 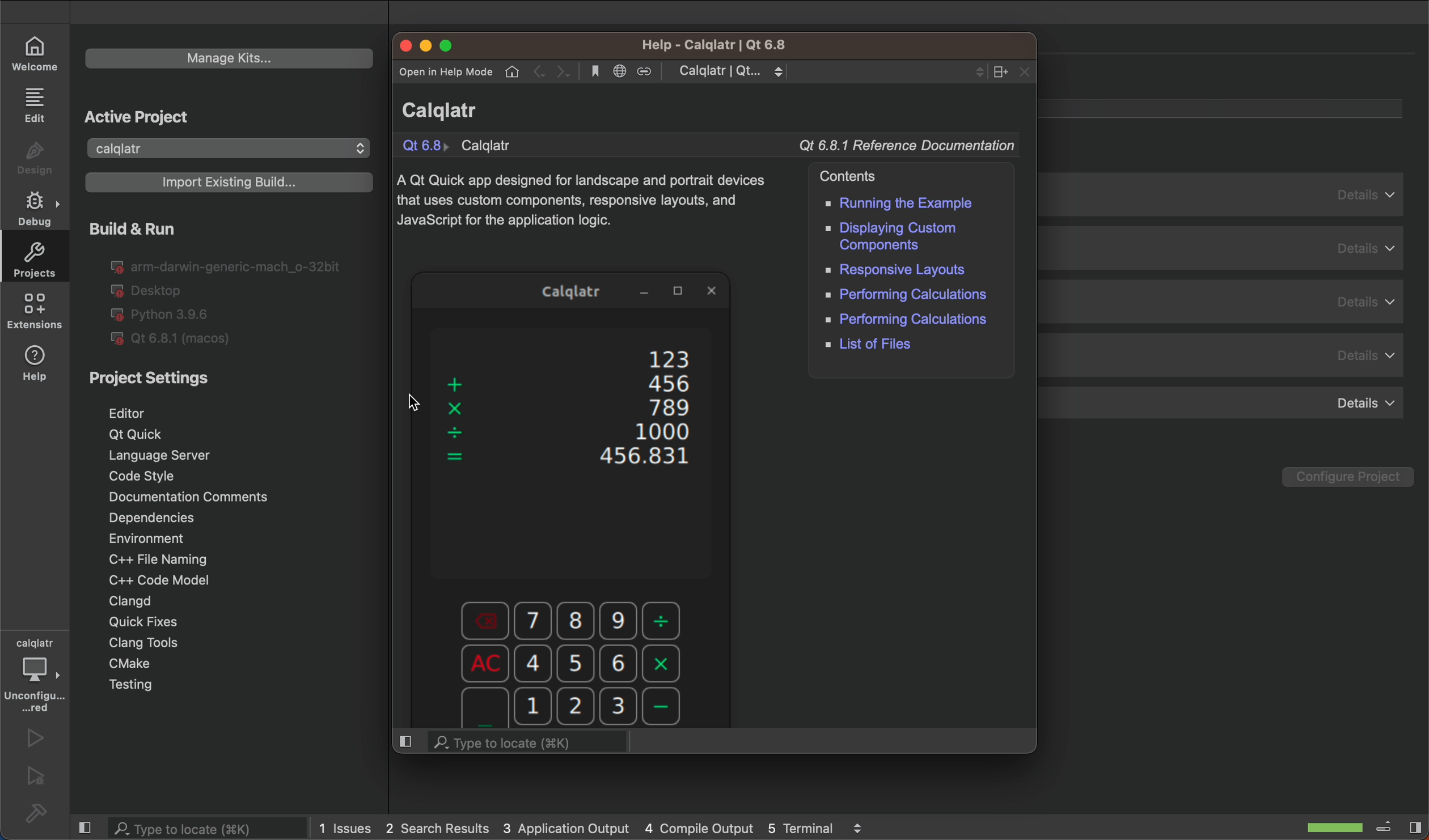 What do you see at coordinates (164, 559) in the screenshot?
I see `c++ file naming` at bounding box center [164, 559].